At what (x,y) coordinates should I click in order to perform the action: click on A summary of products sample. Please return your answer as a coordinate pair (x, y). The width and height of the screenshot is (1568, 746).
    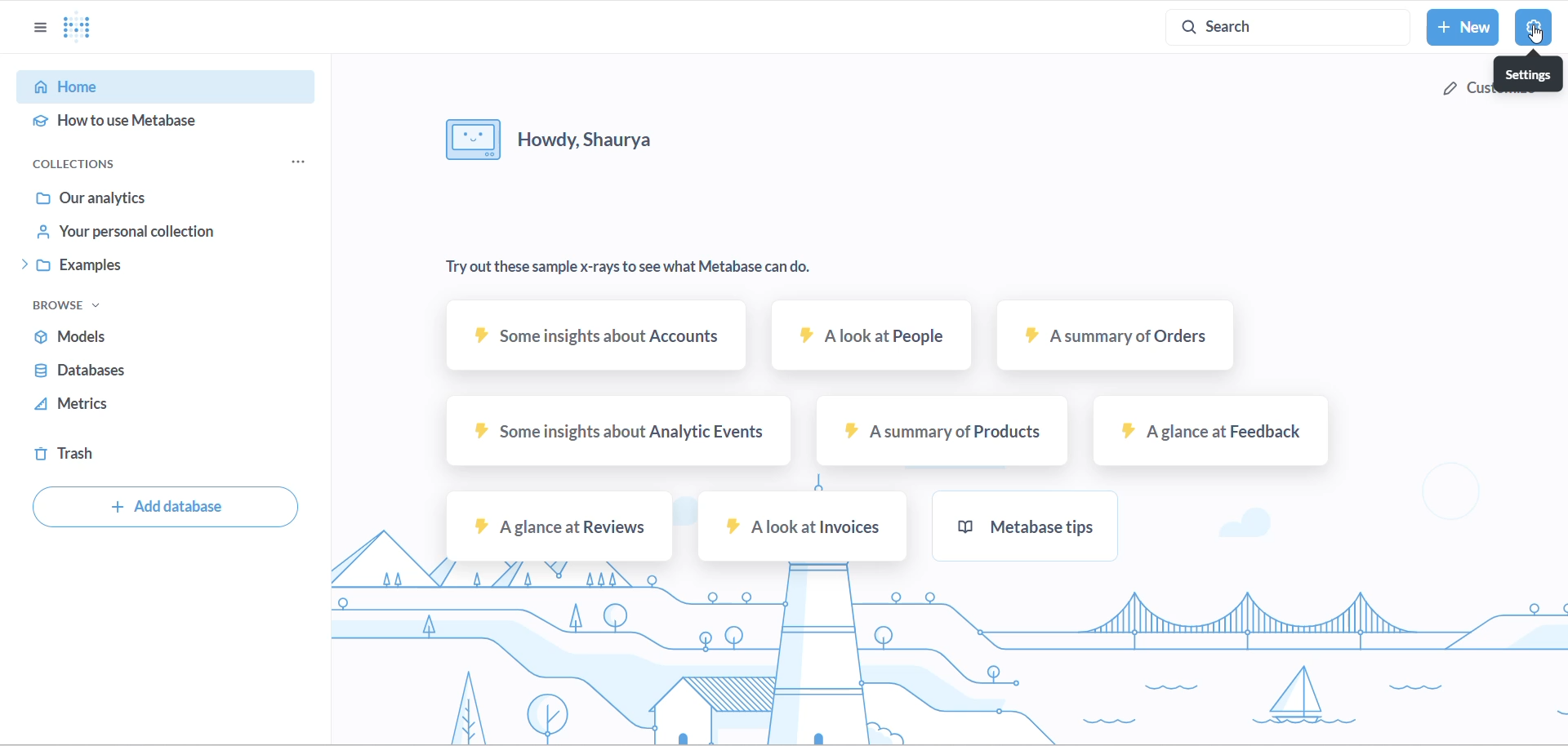
    Looking at the image, I should click on (937, 429).